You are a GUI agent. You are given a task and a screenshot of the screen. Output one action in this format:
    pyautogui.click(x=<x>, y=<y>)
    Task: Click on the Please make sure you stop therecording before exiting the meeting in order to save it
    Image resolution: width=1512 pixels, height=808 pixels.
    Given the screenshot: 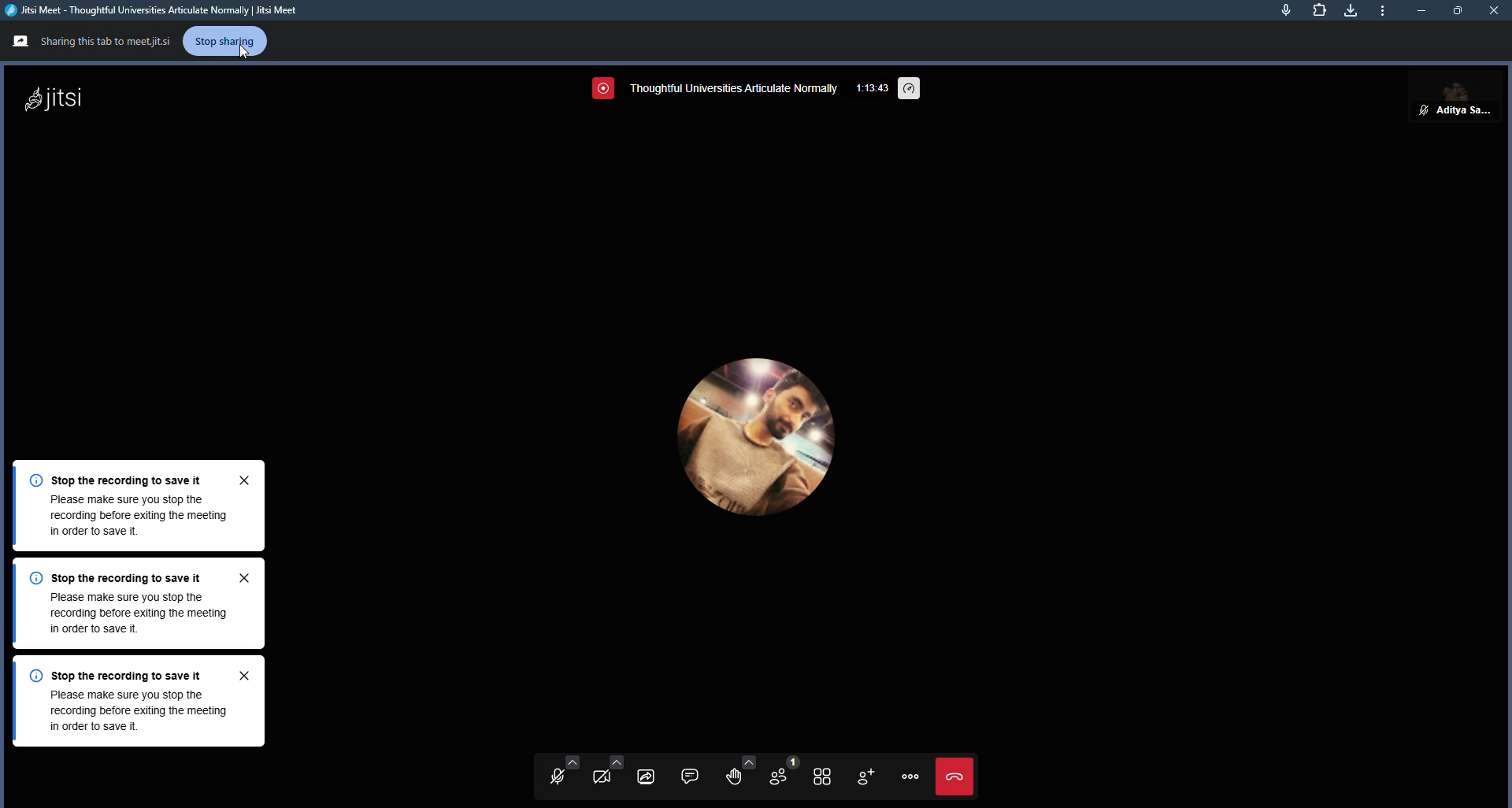 What is the action you would take?
    pyautogui.click(x=128, y=716)
    